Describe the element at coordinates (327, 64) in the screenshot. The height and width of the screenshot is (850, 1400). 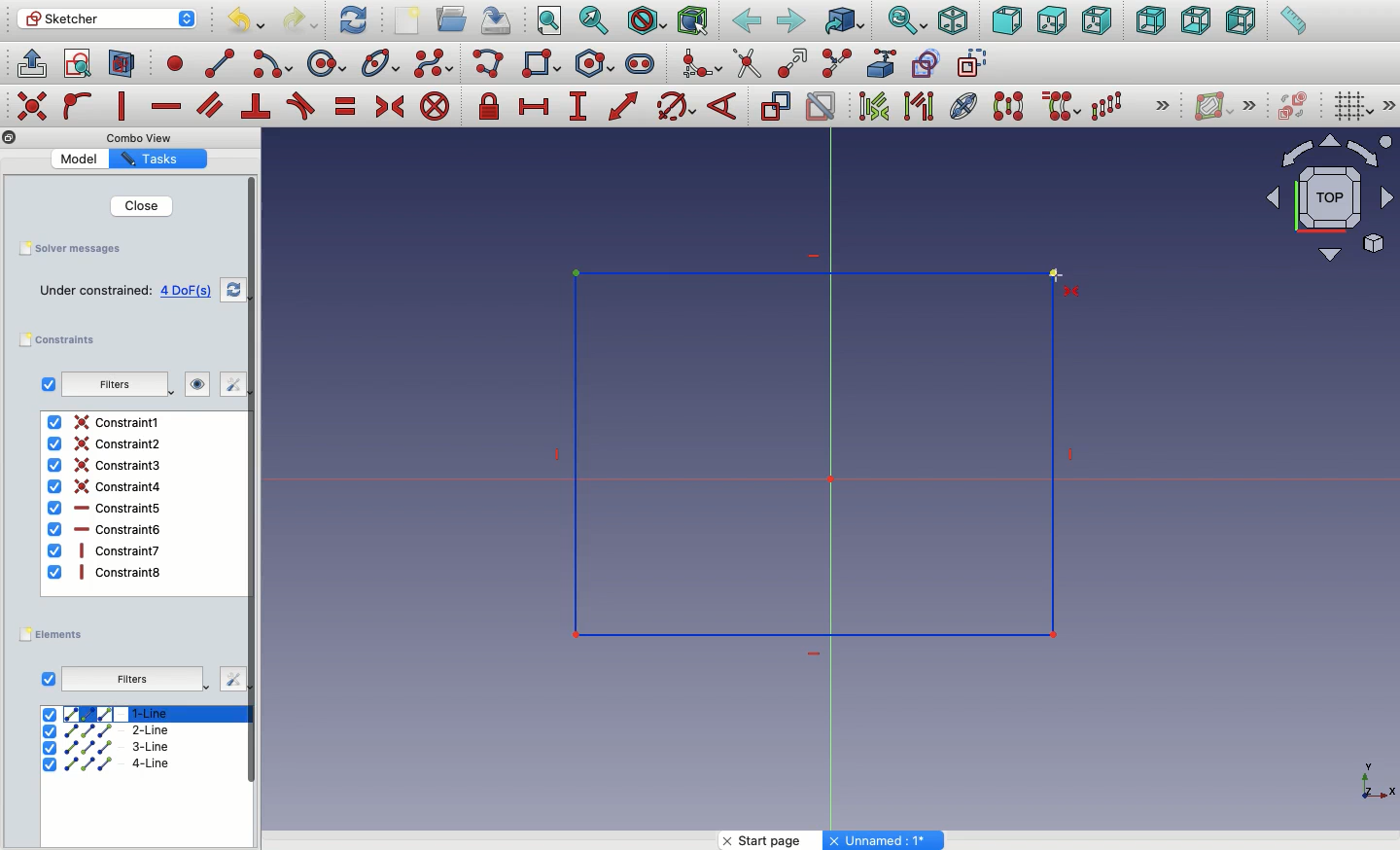
I see `circle` at that location.